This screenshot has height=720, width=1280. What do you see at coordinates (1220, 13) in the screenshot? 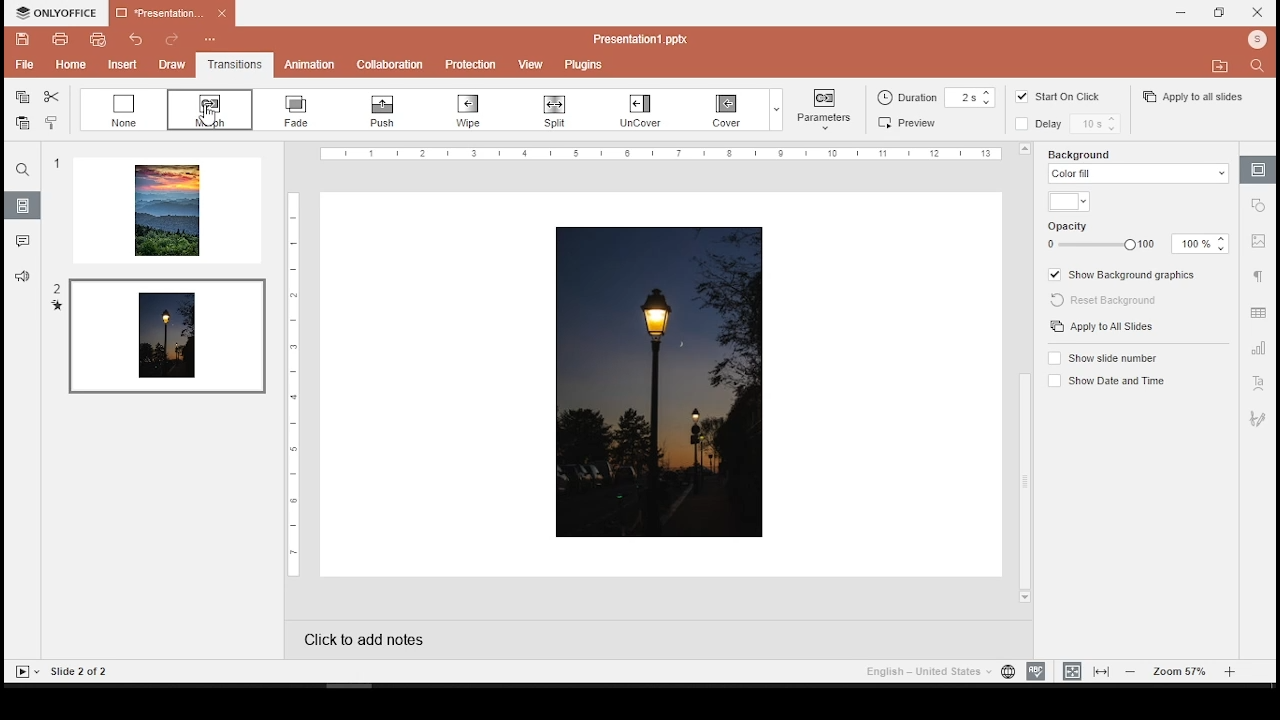
I see `restore` at bounding box center [1220, 13].